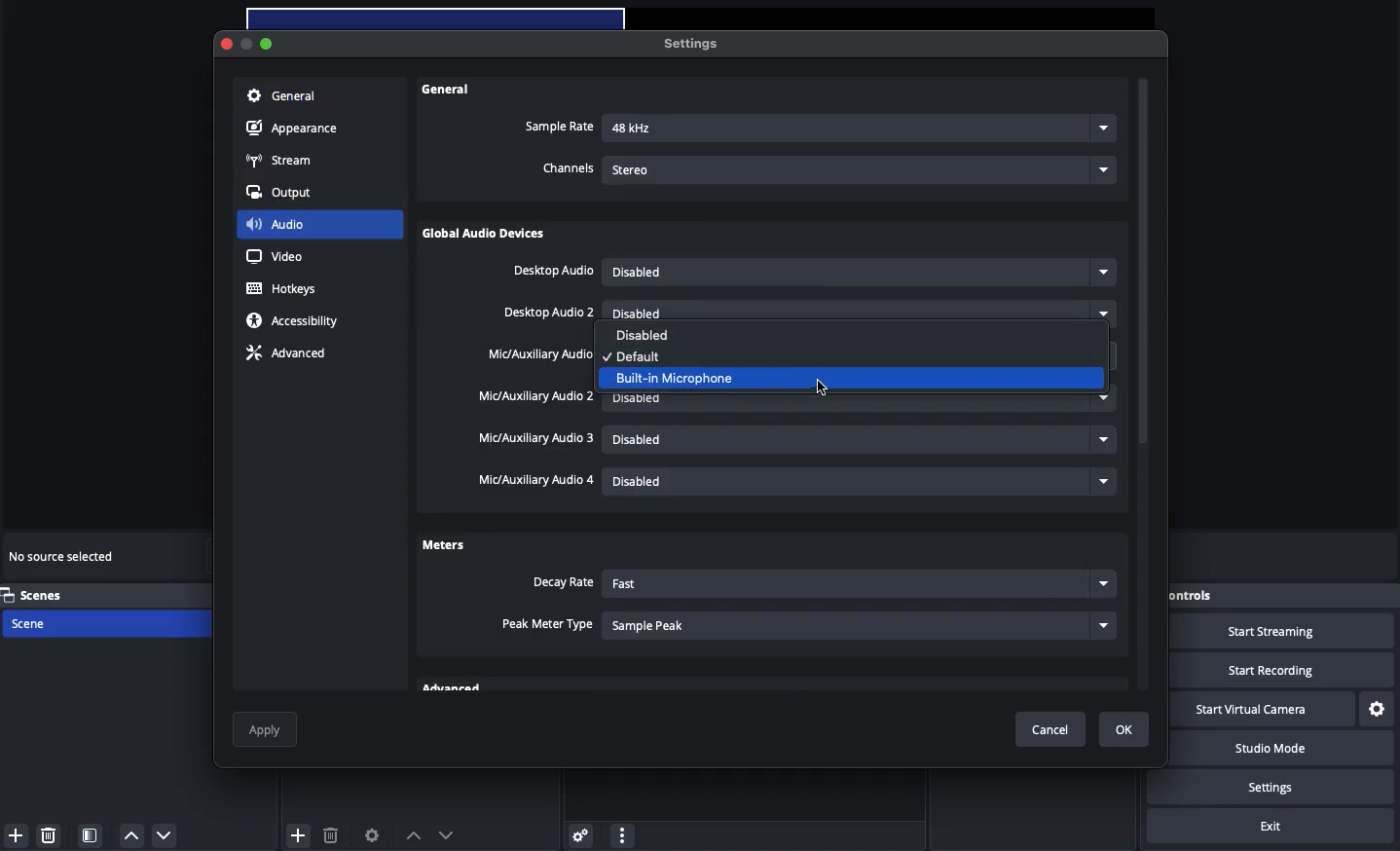 This screenshot has width=1400, height=851. Describe the element at coordinates (413, 835) in the screenshot. I see `Move up` at that location.